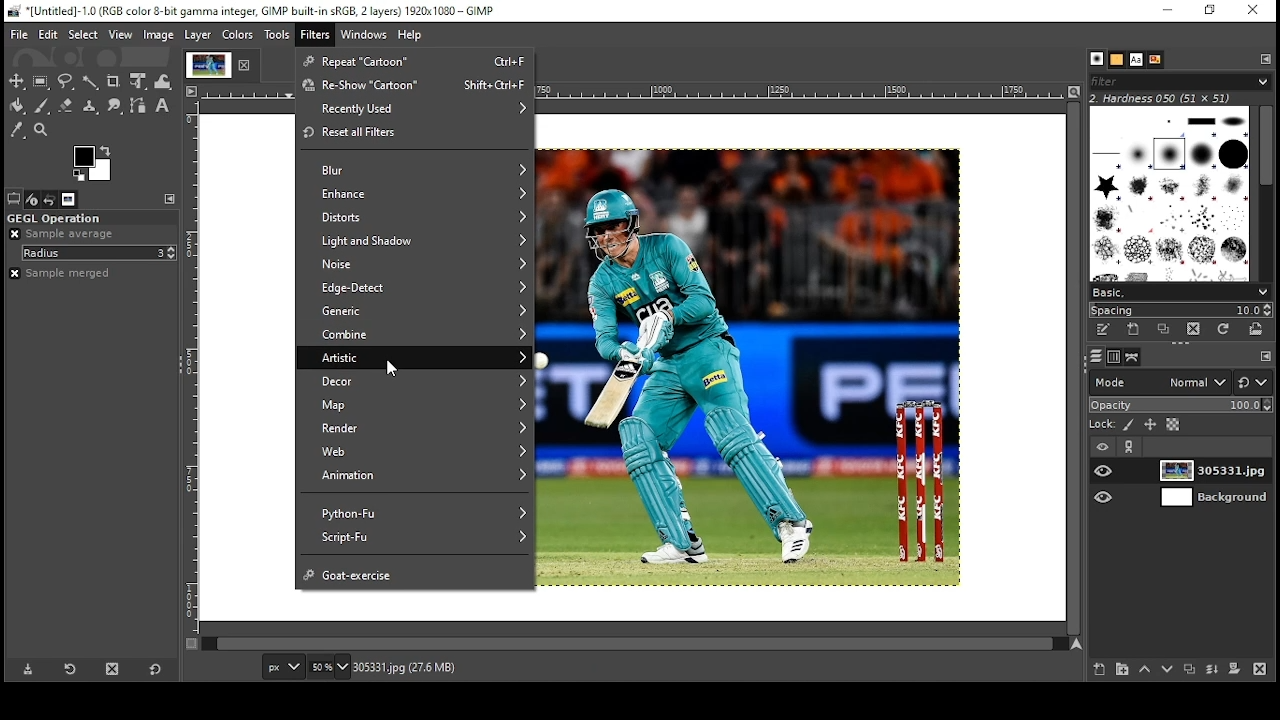 This screenshot has height=720, width=1280. What do you see at coordinates (1100, 670) in the screenshot?
I see `create new layer` at bounding box center [1100, 670].